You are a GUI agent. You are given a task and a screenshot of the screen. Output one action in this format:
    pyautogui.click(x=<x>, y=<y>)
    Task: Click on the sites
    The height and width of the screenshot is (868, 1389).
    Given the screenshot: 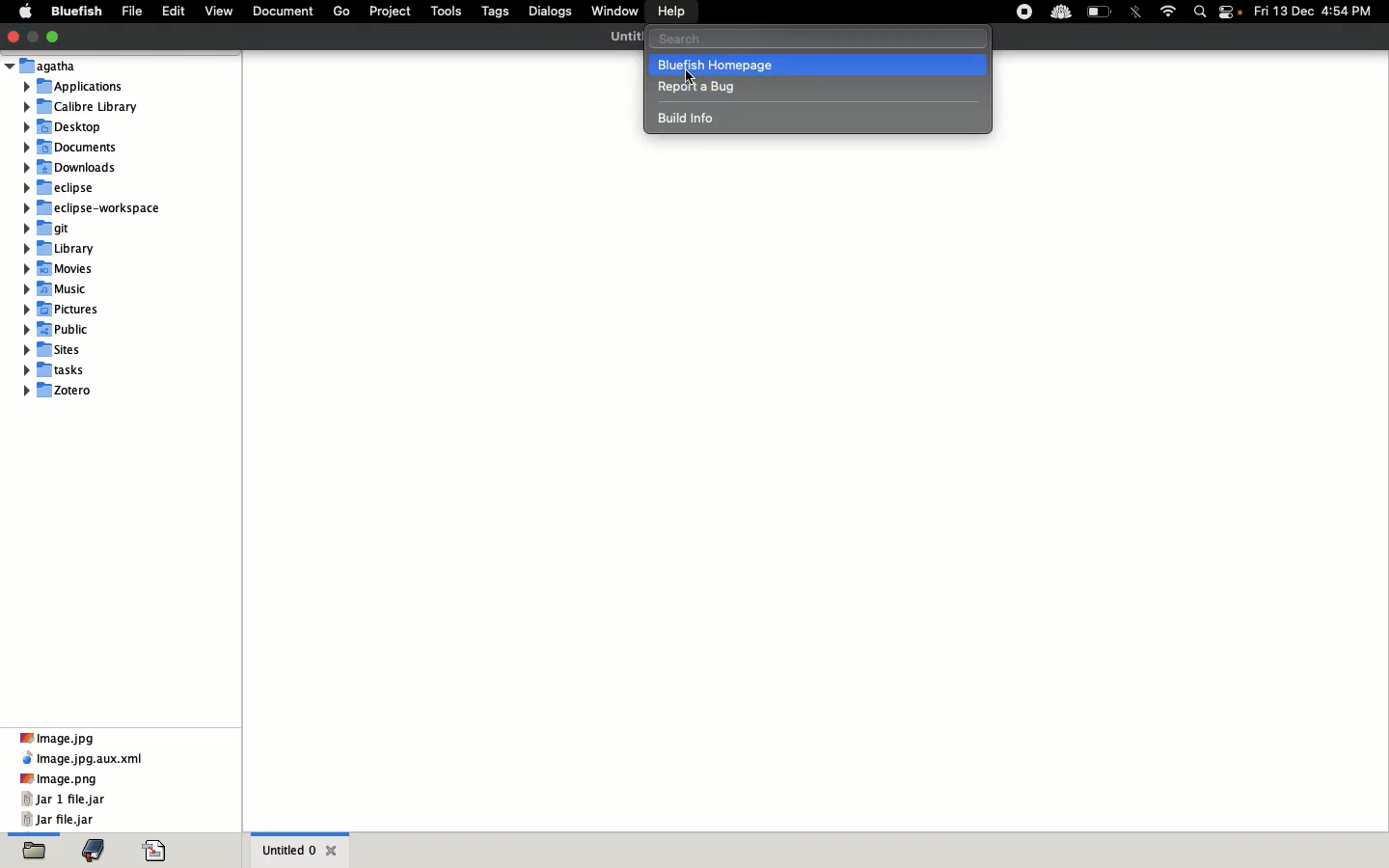 What is the action you would take?
    pyautogui.click(x=59, y=349)
    